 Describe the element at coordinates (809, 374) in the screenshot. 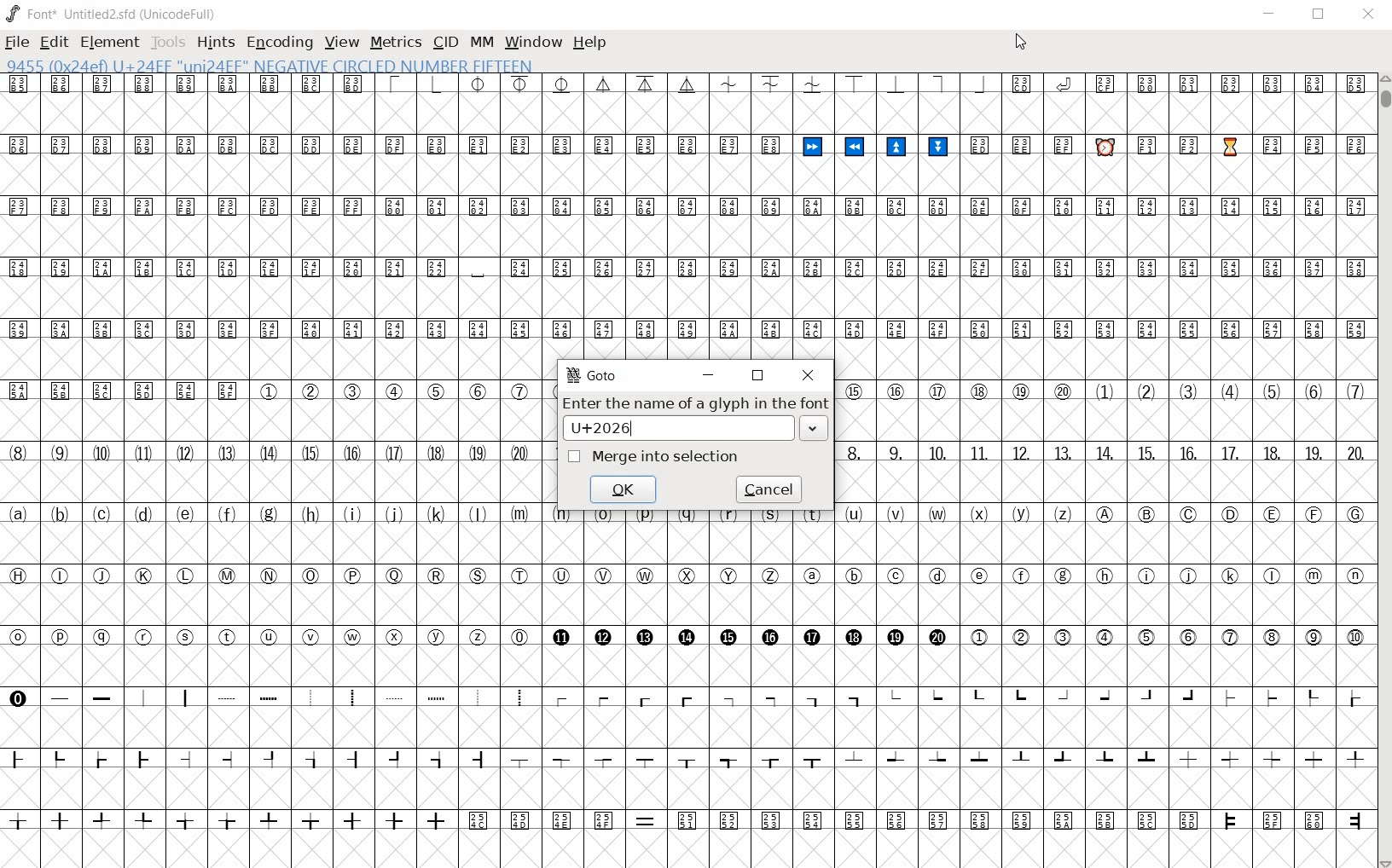

I see `close` at that location.